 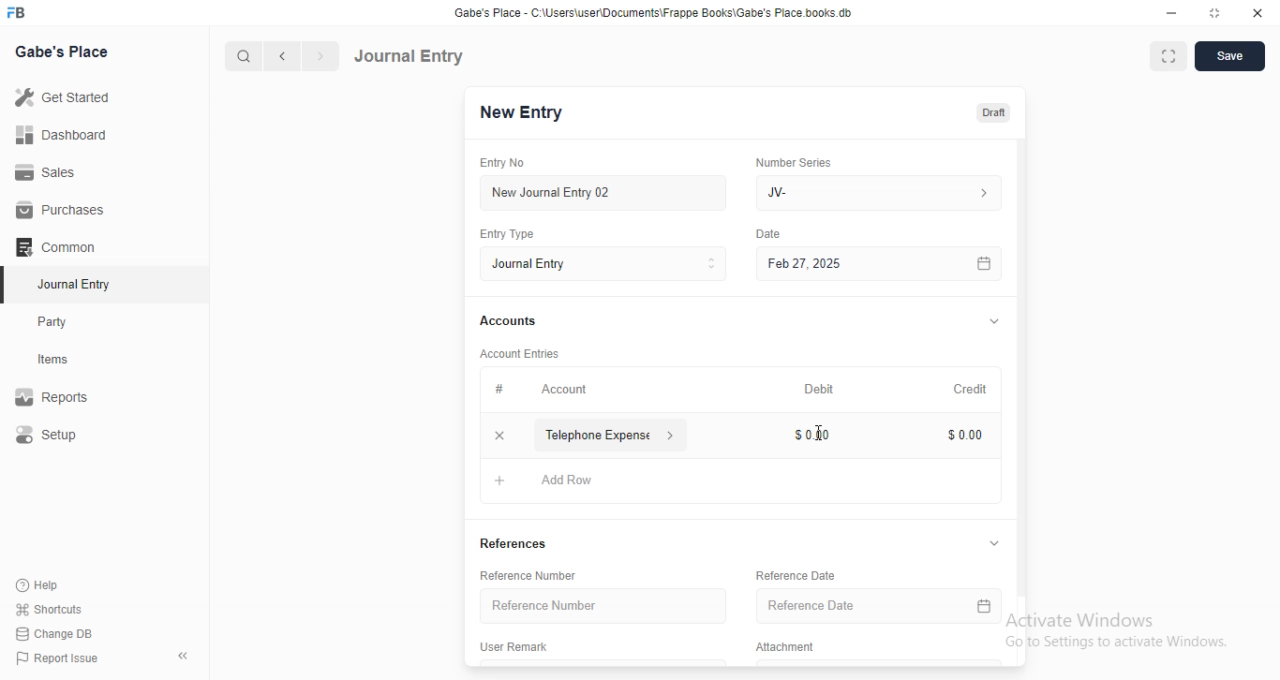 What do you see at coordinates (1235, 56) in the screenshot?
I see `Save` at bounding box center [1235, 56].